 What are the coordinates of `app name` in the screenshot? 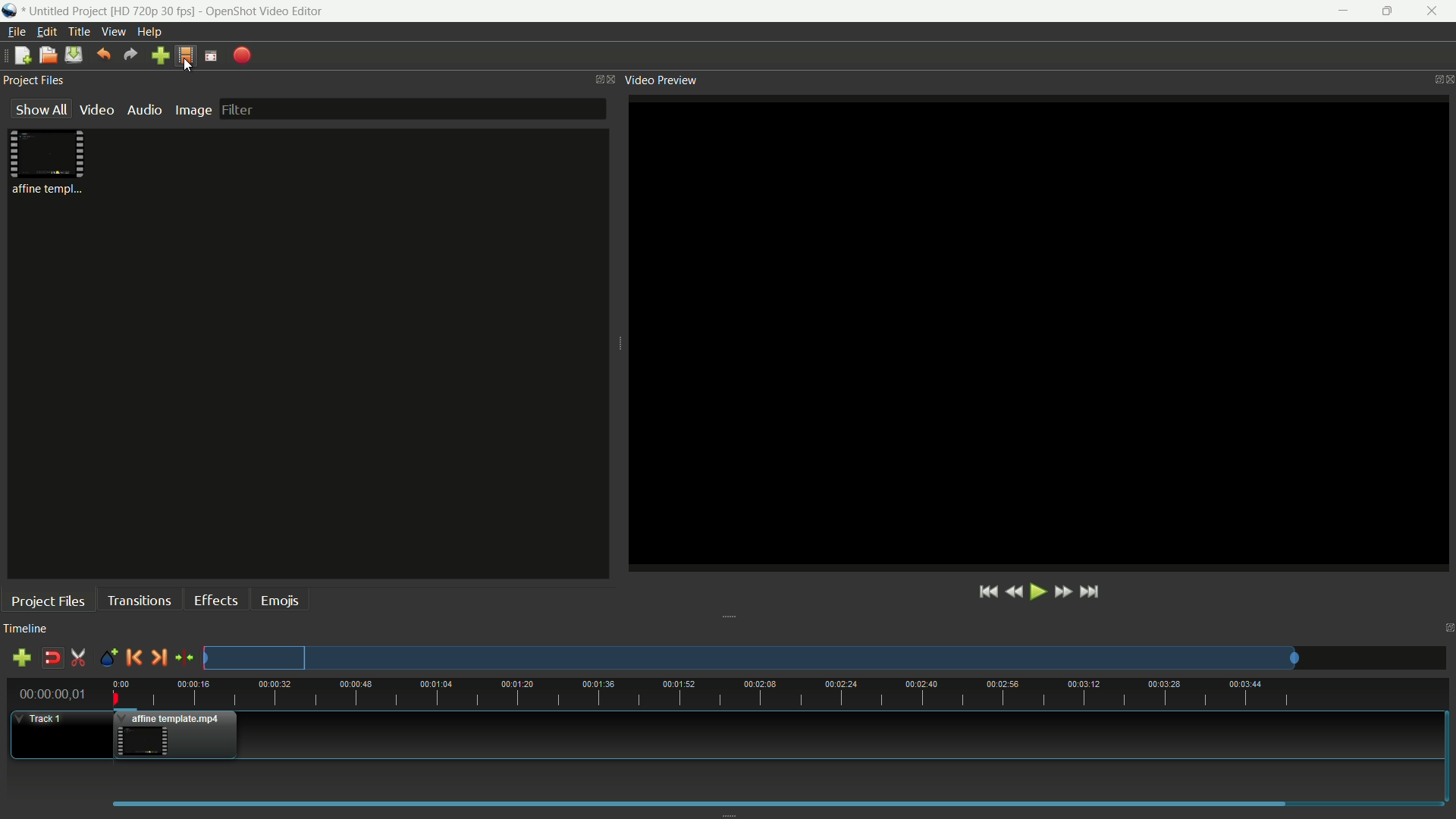 It's located at (263, 11).